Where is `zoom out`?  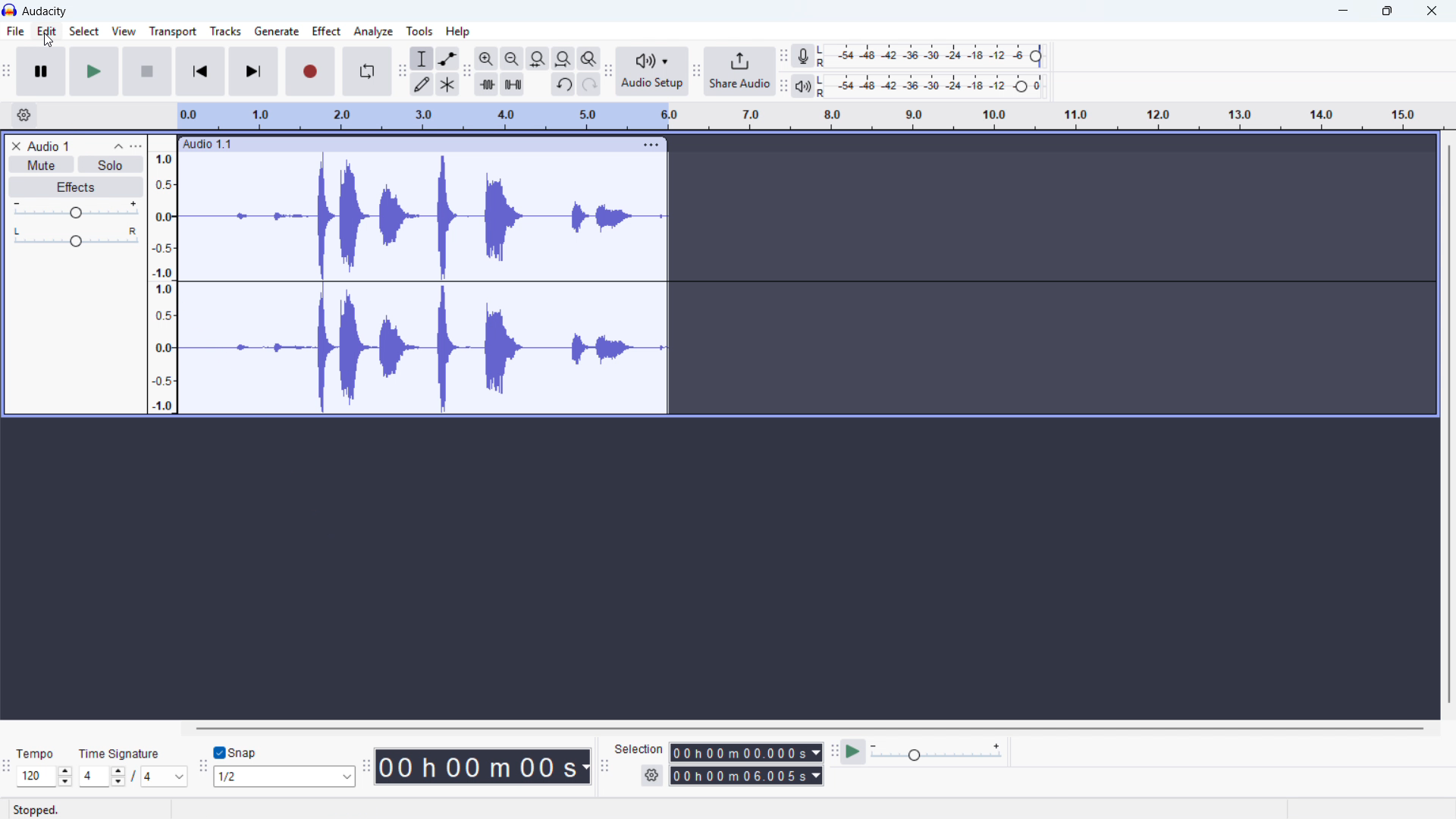 zoom out is located at coordinates (513, 58).